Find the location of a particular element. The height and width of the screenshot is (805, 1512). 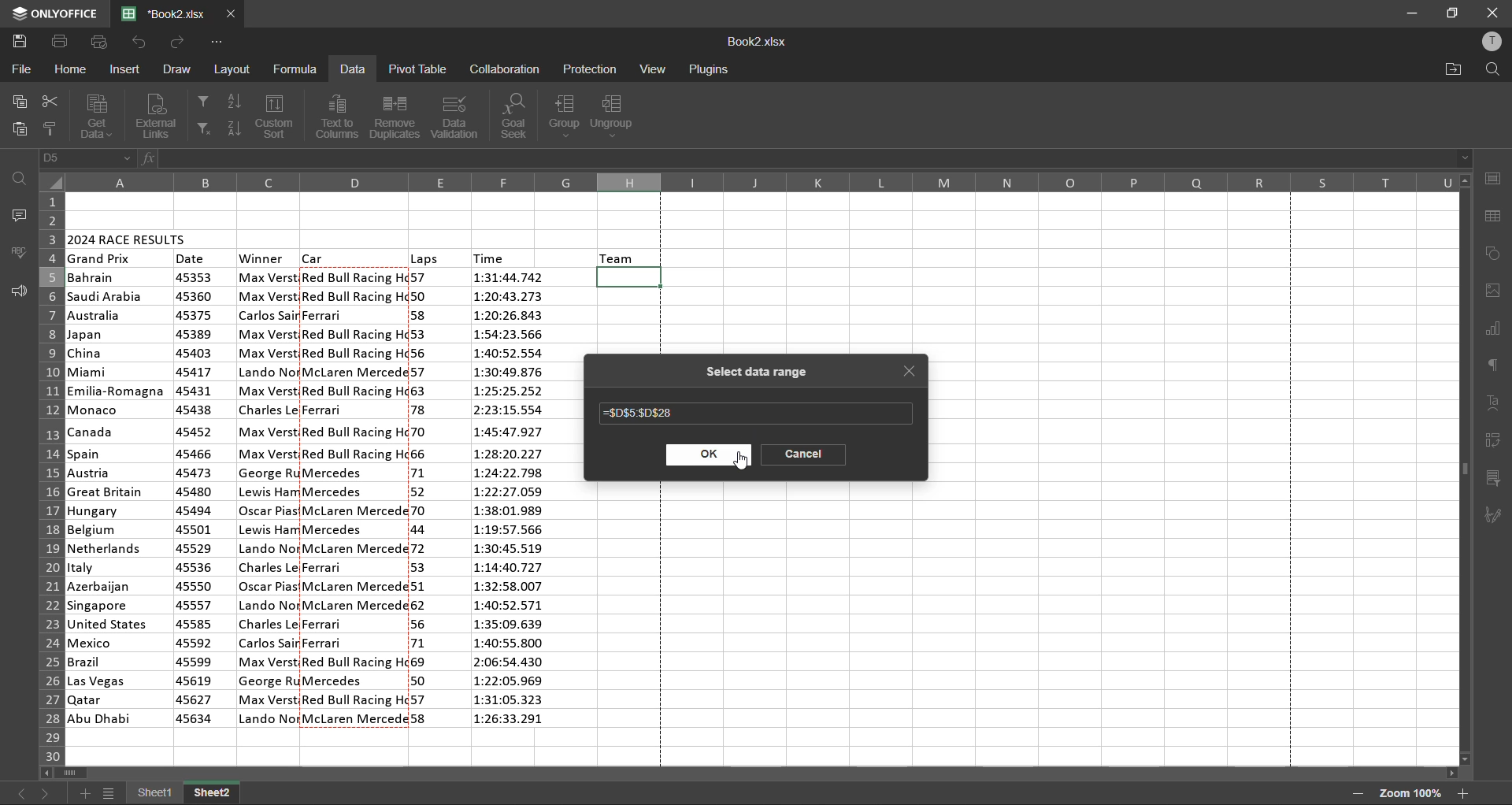

previous is located at coordinates (20, 792).